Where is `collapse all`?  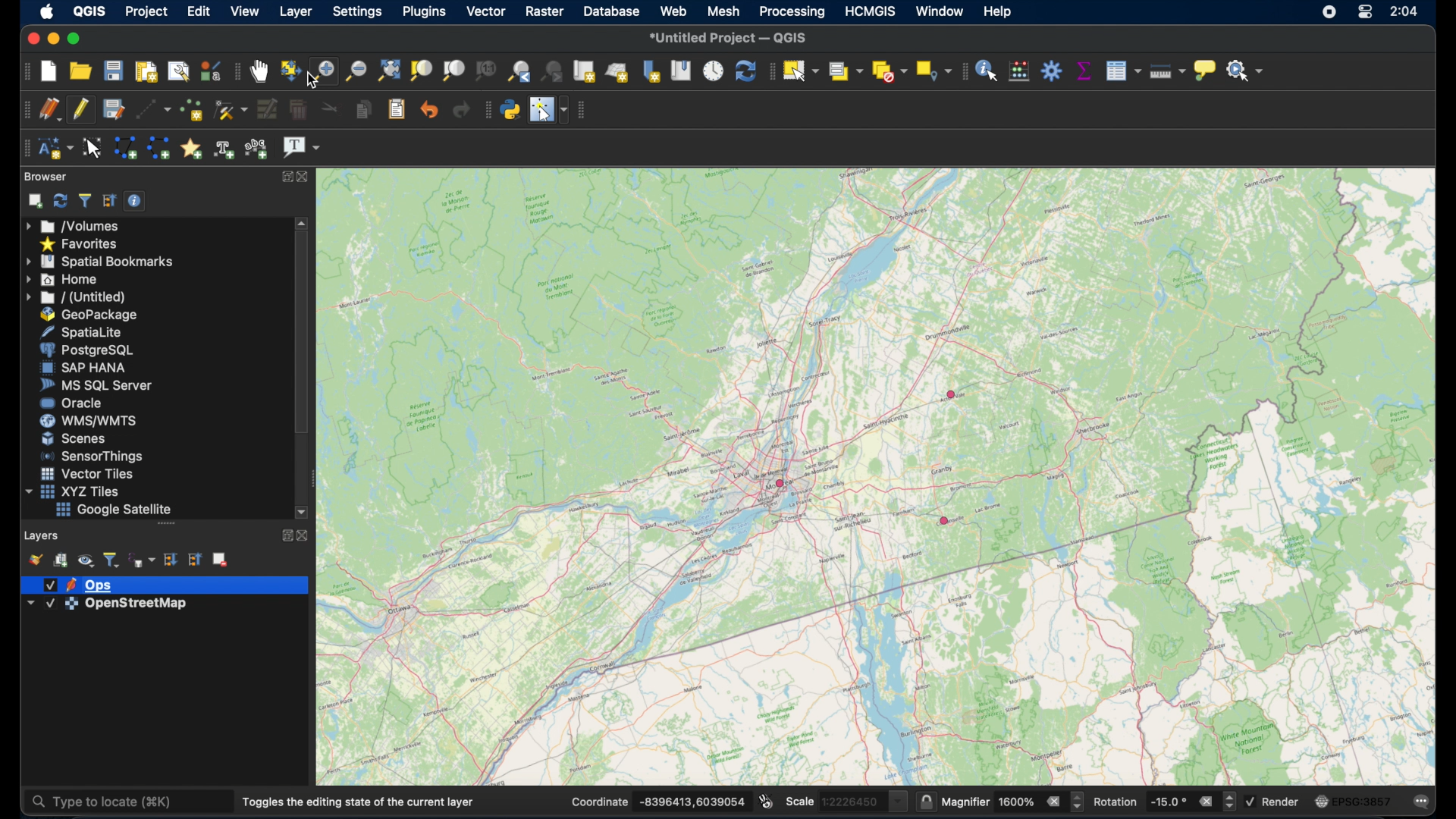 collapse all is located at coordinates (194, 559).